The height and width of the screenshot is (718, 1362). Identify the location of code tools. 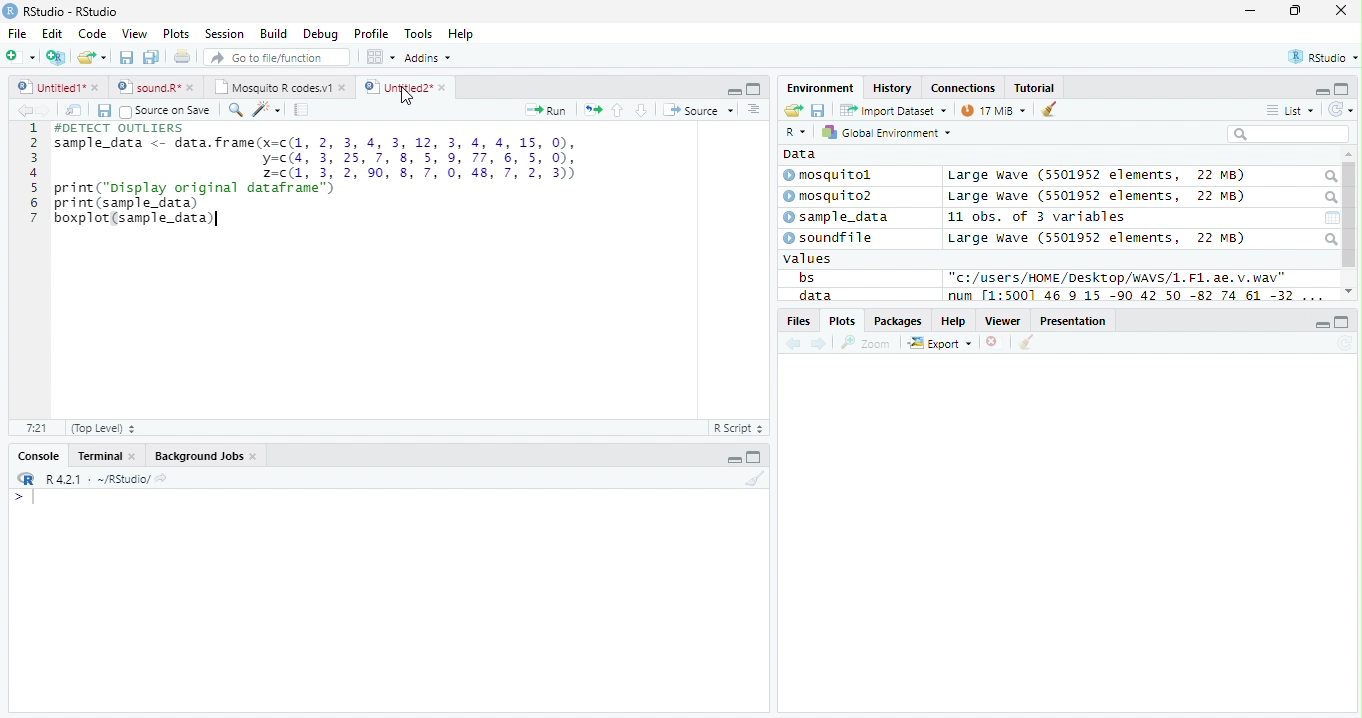
(267, 110).